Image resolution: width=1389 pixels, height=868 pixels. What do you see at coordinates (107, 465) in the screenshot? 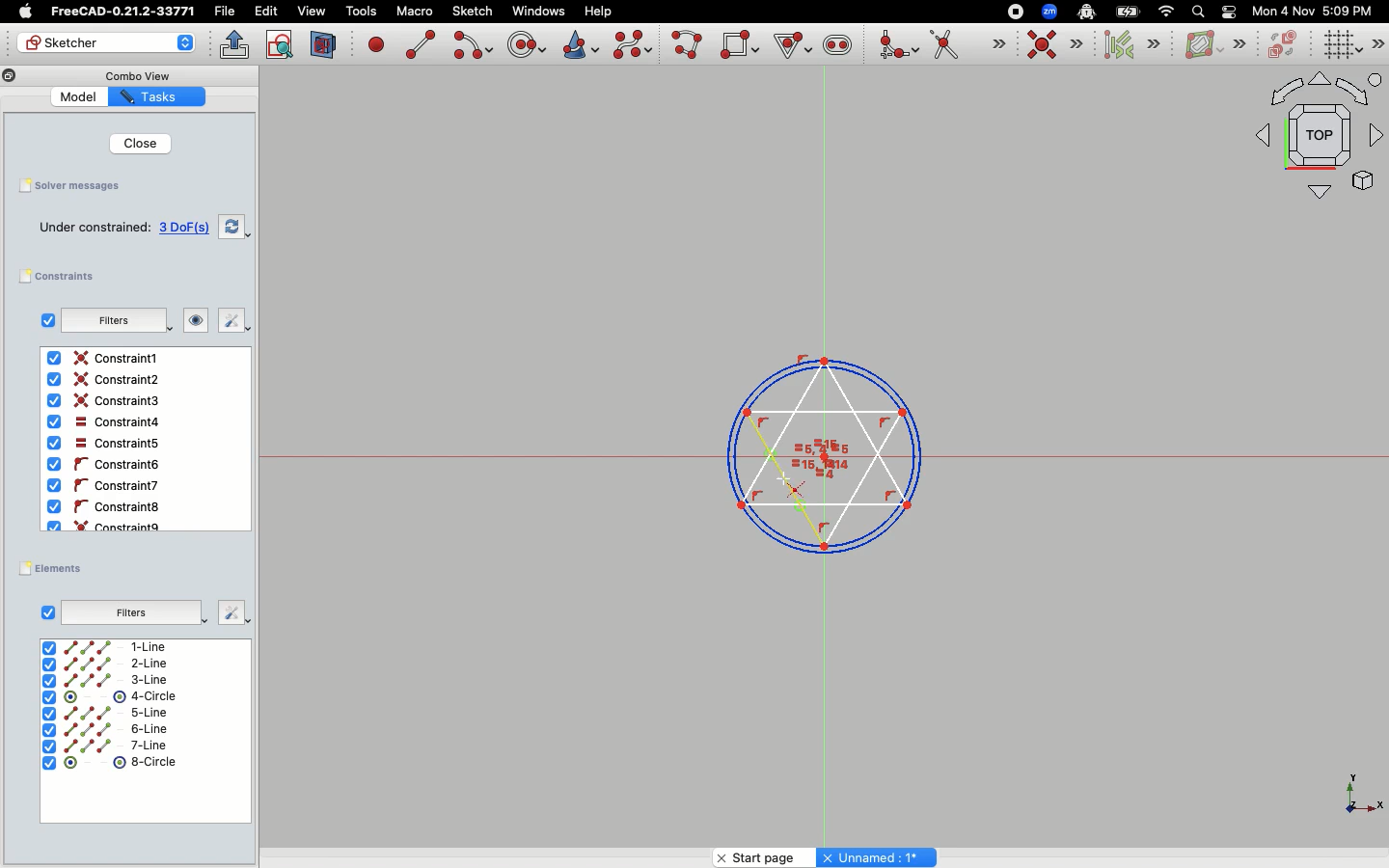
I see `Constaint6` at bounding box center [107, 465].